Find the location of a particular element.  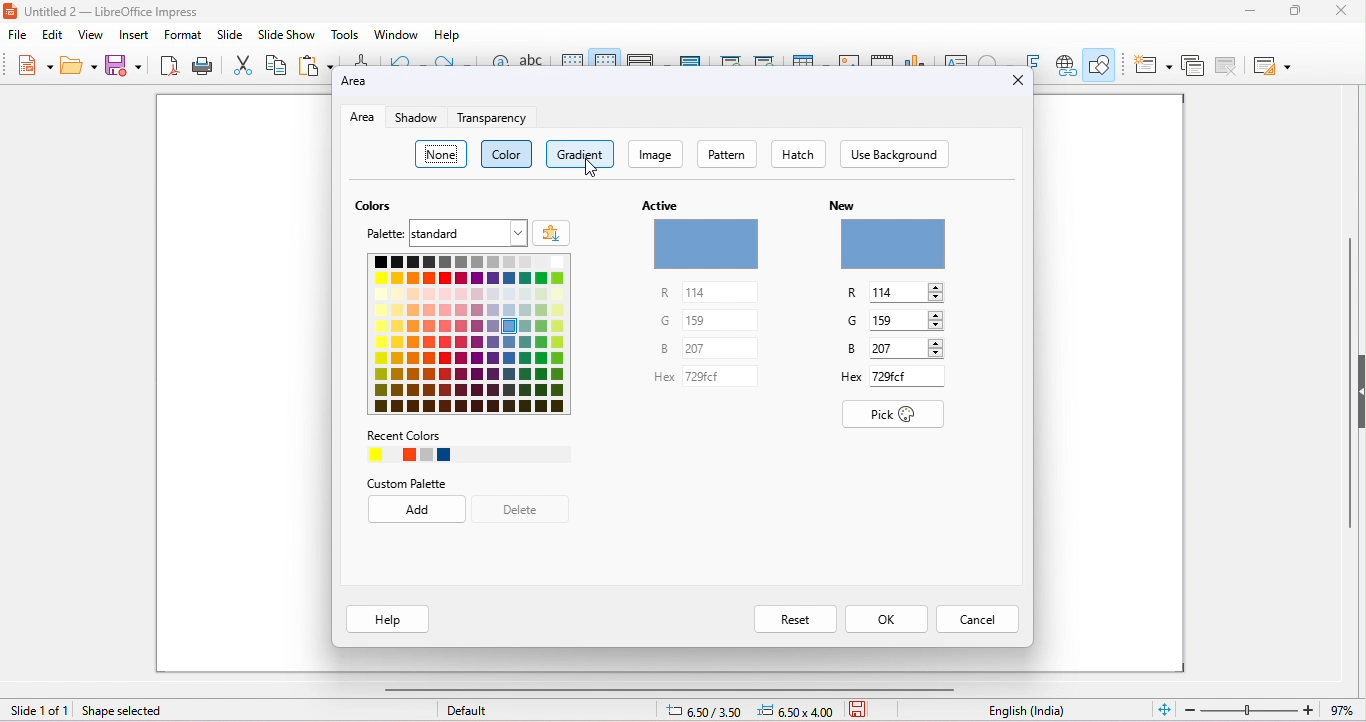

Expand/Collapse sidebar is located at coordinates (1361, 391).